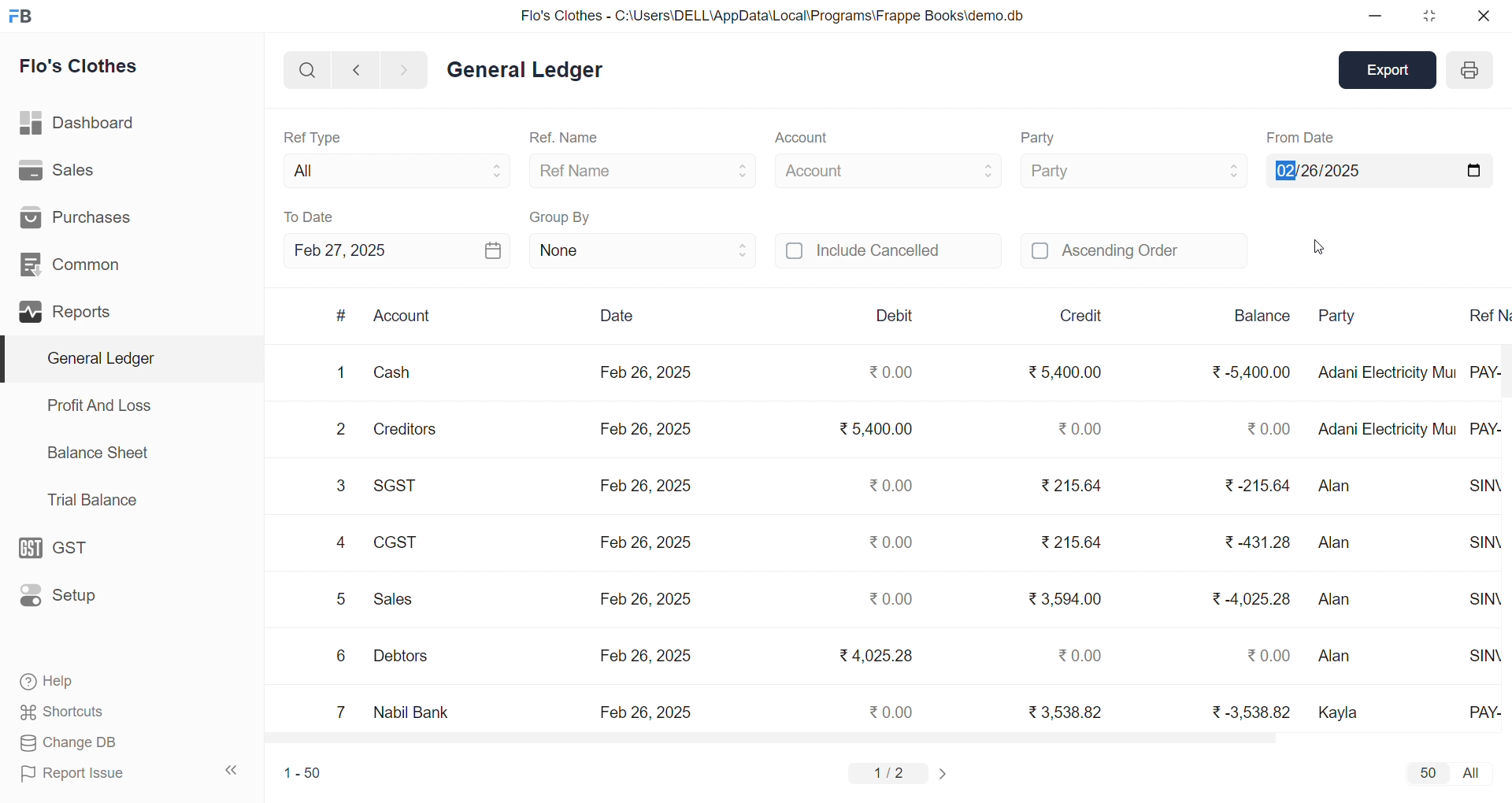  Describe the element at coordinates (1376, 17) in the screenshot. I see `MINIMIZE` at that location.